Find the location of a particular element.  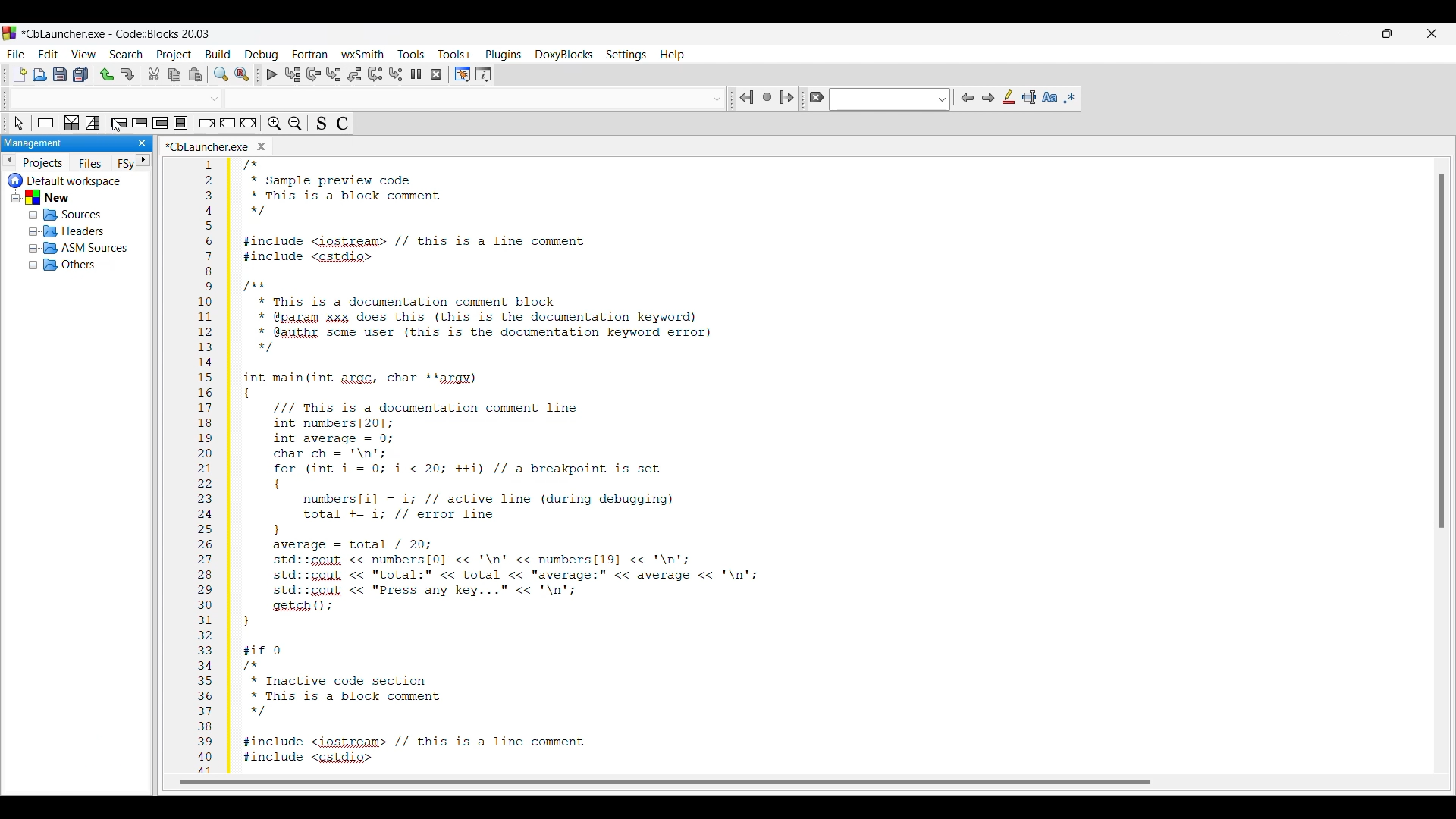

wxSmith menu is located at coordinates (363, 54).